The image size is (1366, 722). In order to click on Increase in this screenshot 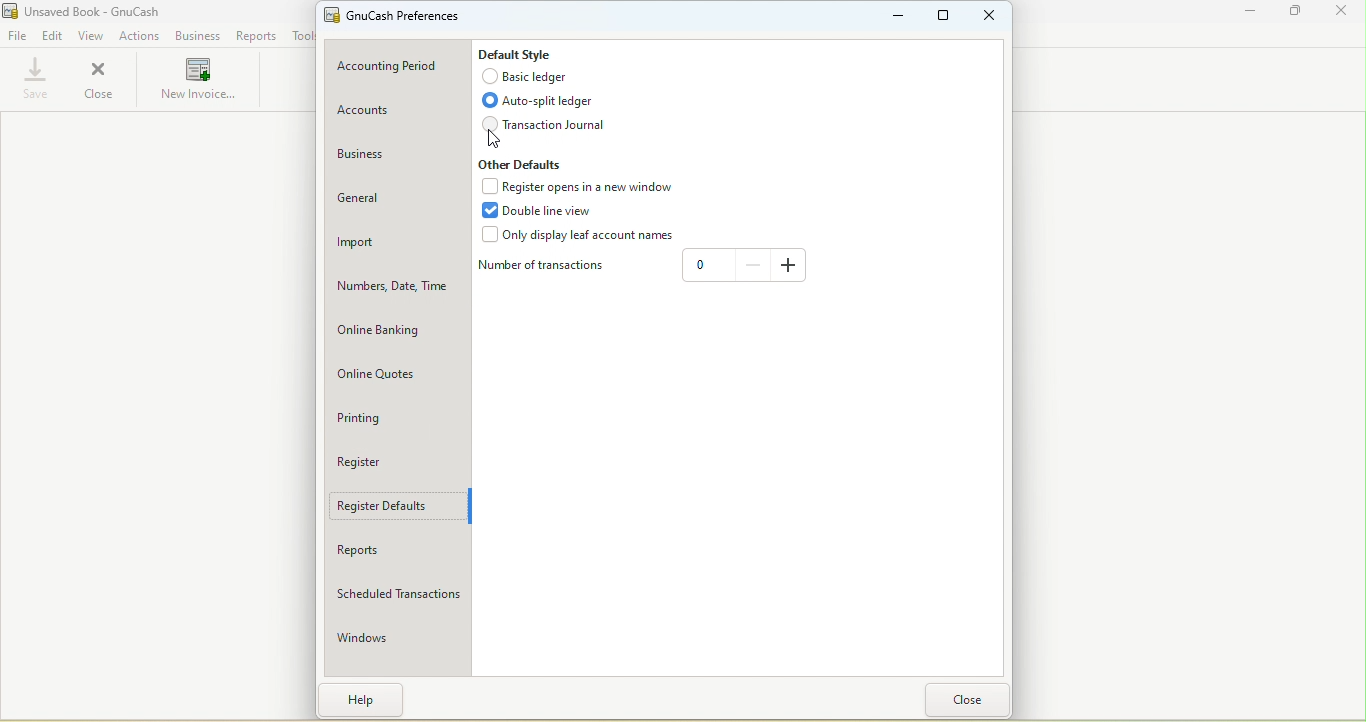, I will do `click(787, 267)`.